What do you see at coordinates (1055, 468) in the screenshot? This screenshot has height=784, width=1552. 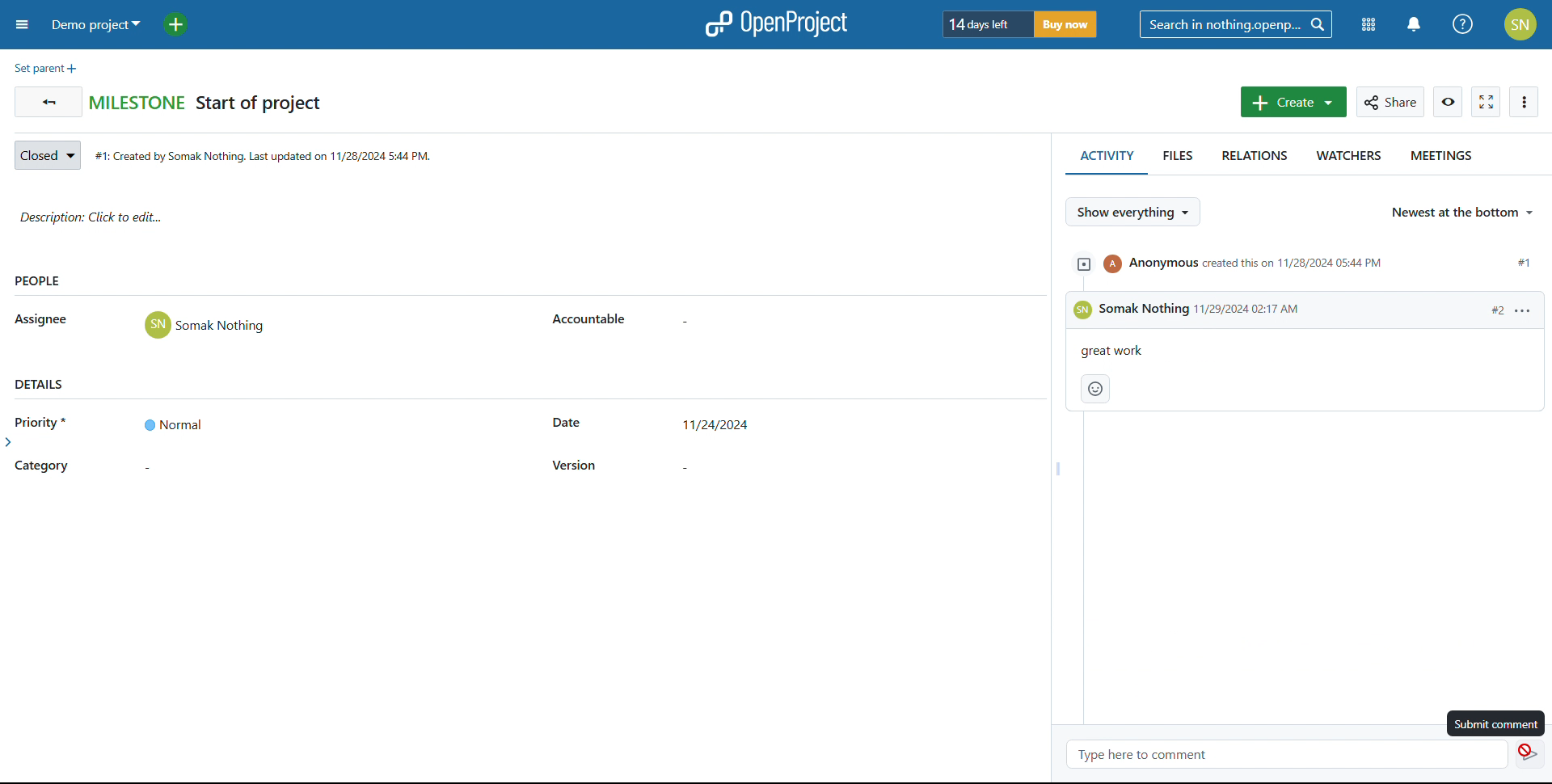 I see `resize` at bounding box center [1055, 468].